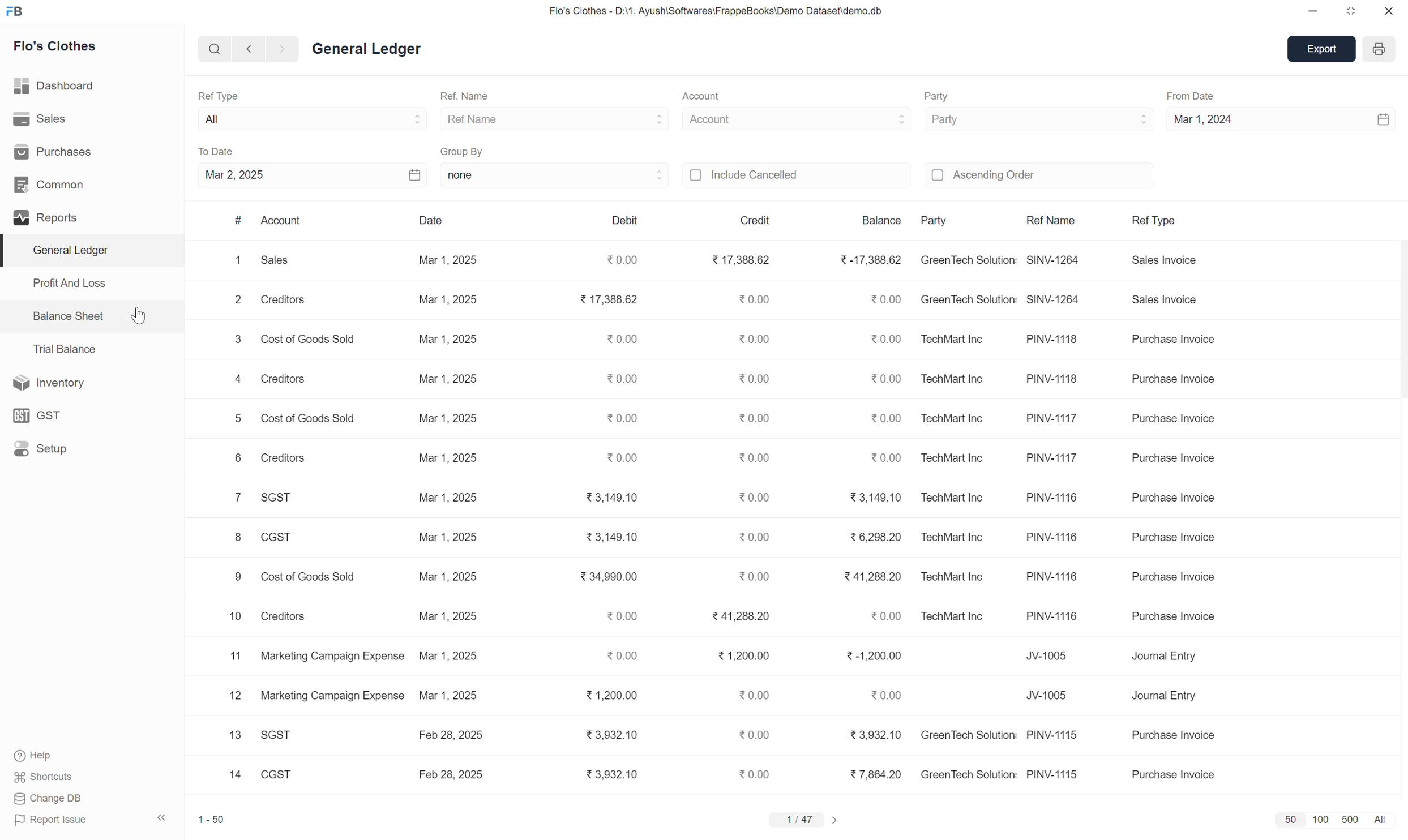 The image size is (1408, 840). I want to click on 3,932.10, so click(868, 735).